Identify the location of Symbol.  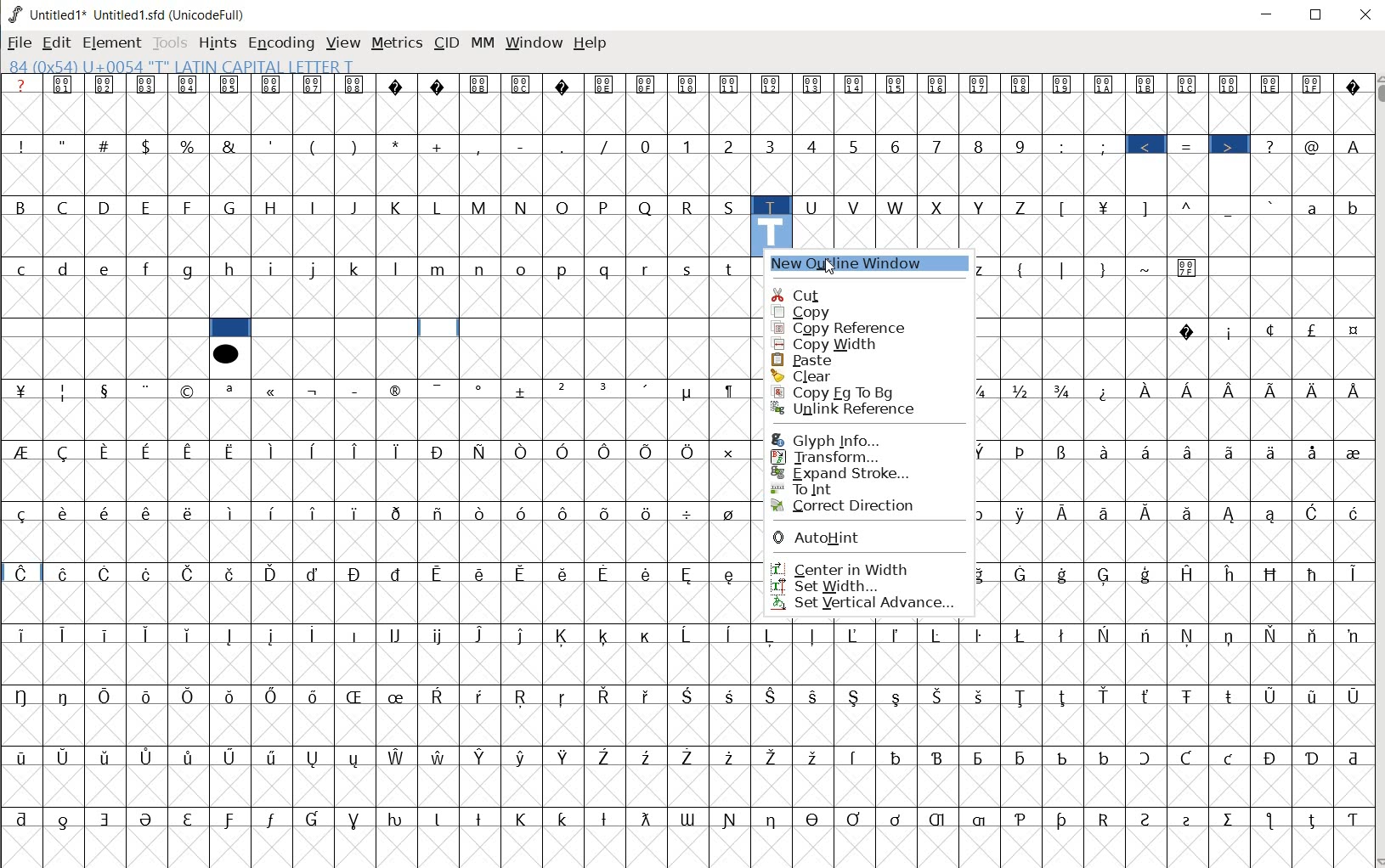
(20, 572).